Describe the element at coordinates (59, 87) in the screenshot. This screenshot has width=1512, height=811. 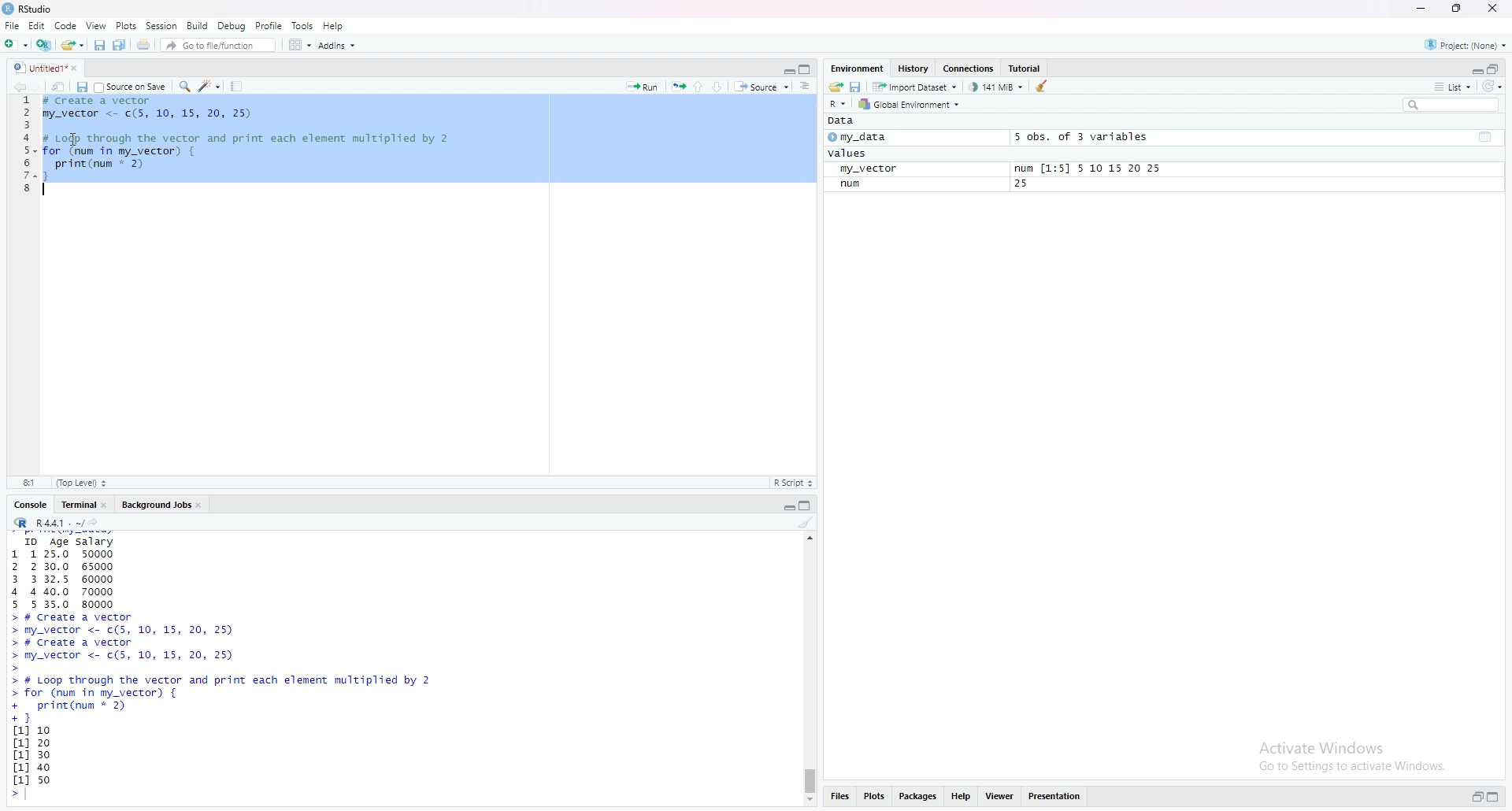
I see `show in new window` at that location.